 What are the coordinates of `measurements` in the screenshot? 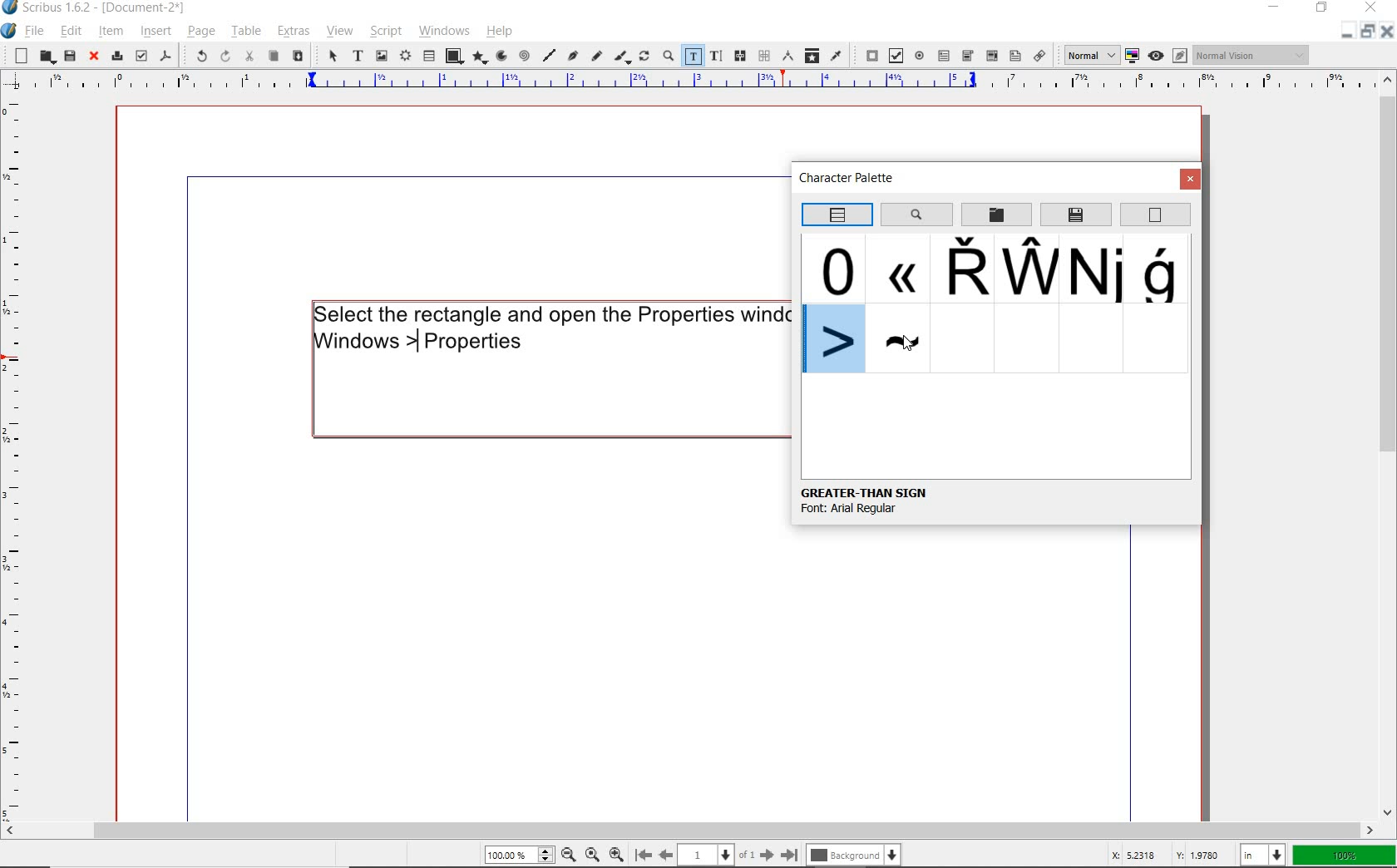 It's located at (787, 55).